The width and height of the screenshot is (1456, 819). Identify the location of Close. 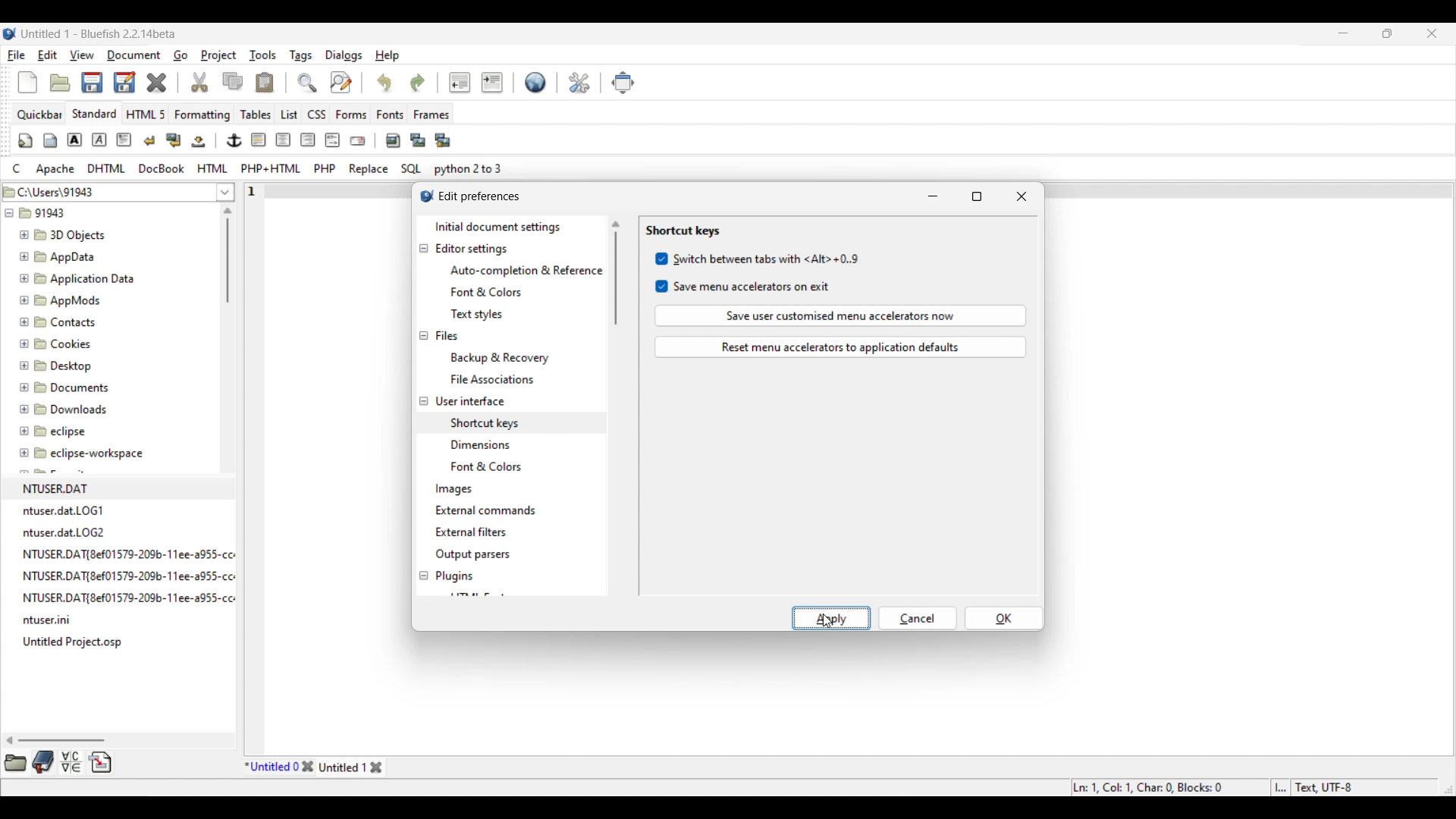
(1021, 196).